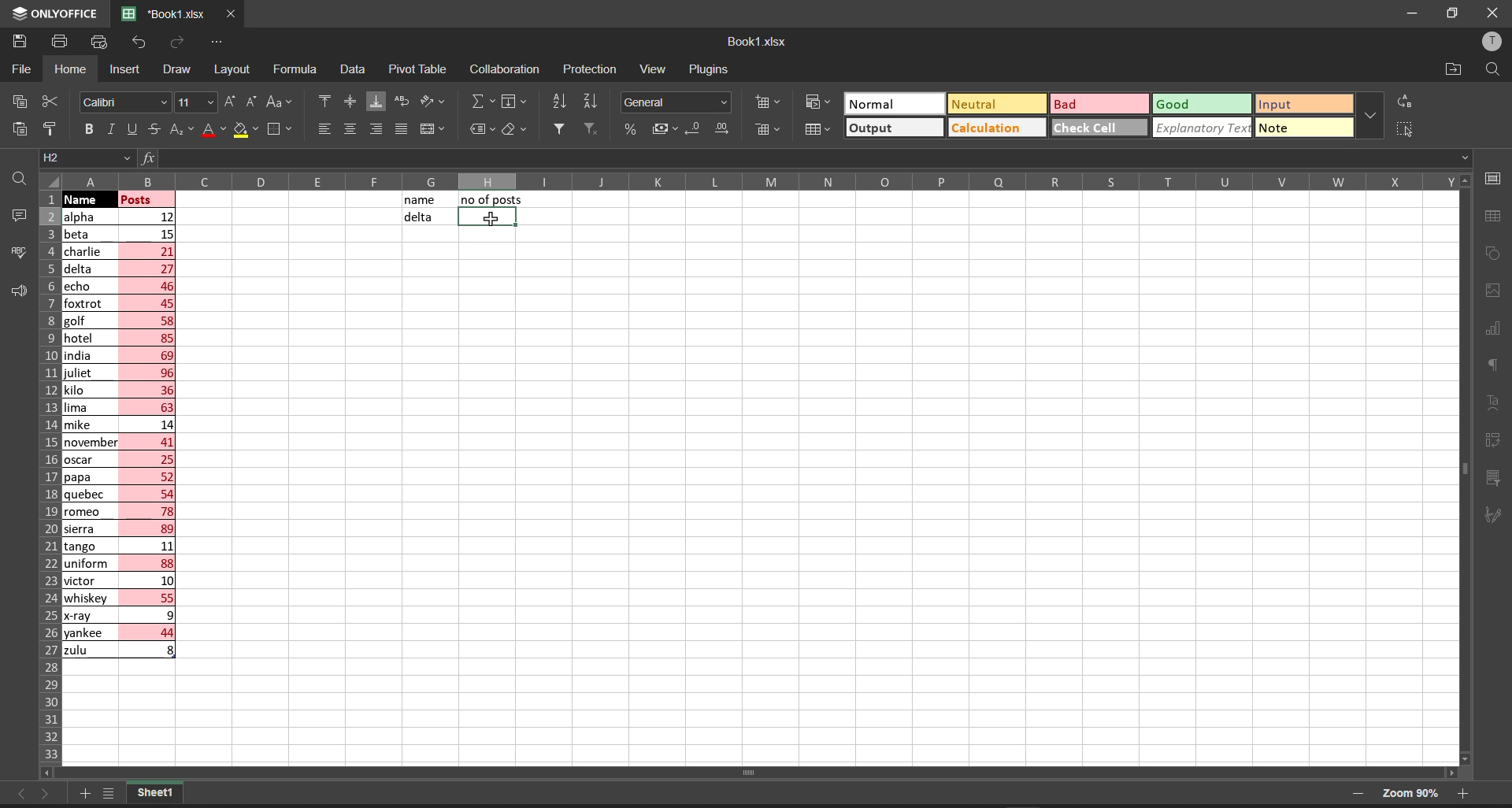 This screenshot has height=808, width=1512. I want to click on subscript\superscript, so click(180, 127).